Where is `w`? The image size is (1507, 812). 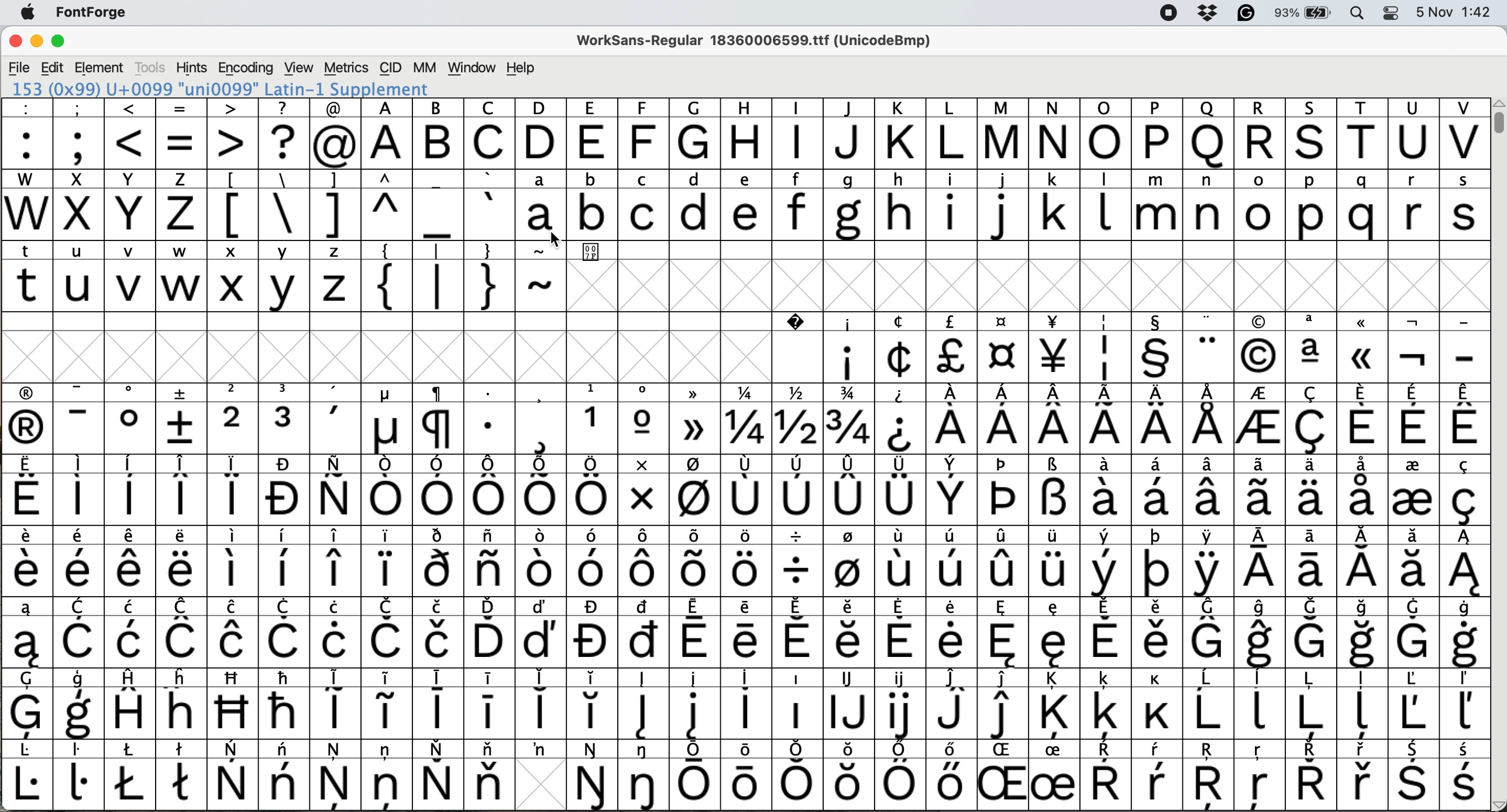
w is located at coordinates (181, 277).